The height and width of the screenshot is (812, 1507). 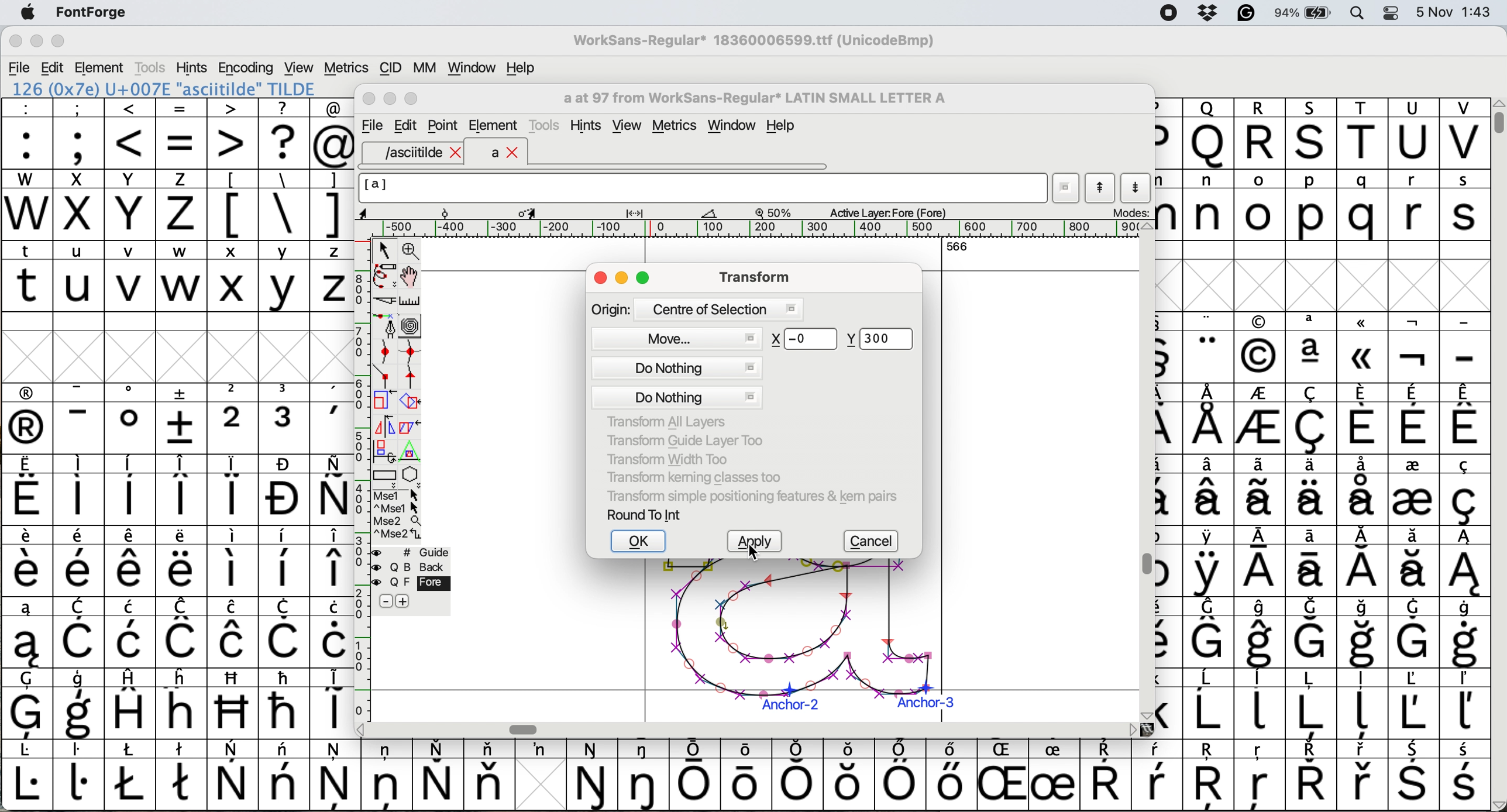 What do you see at coordinates (1454, 11) in the screenshot?
I see `date and time` at bounding box center [1454, 11].